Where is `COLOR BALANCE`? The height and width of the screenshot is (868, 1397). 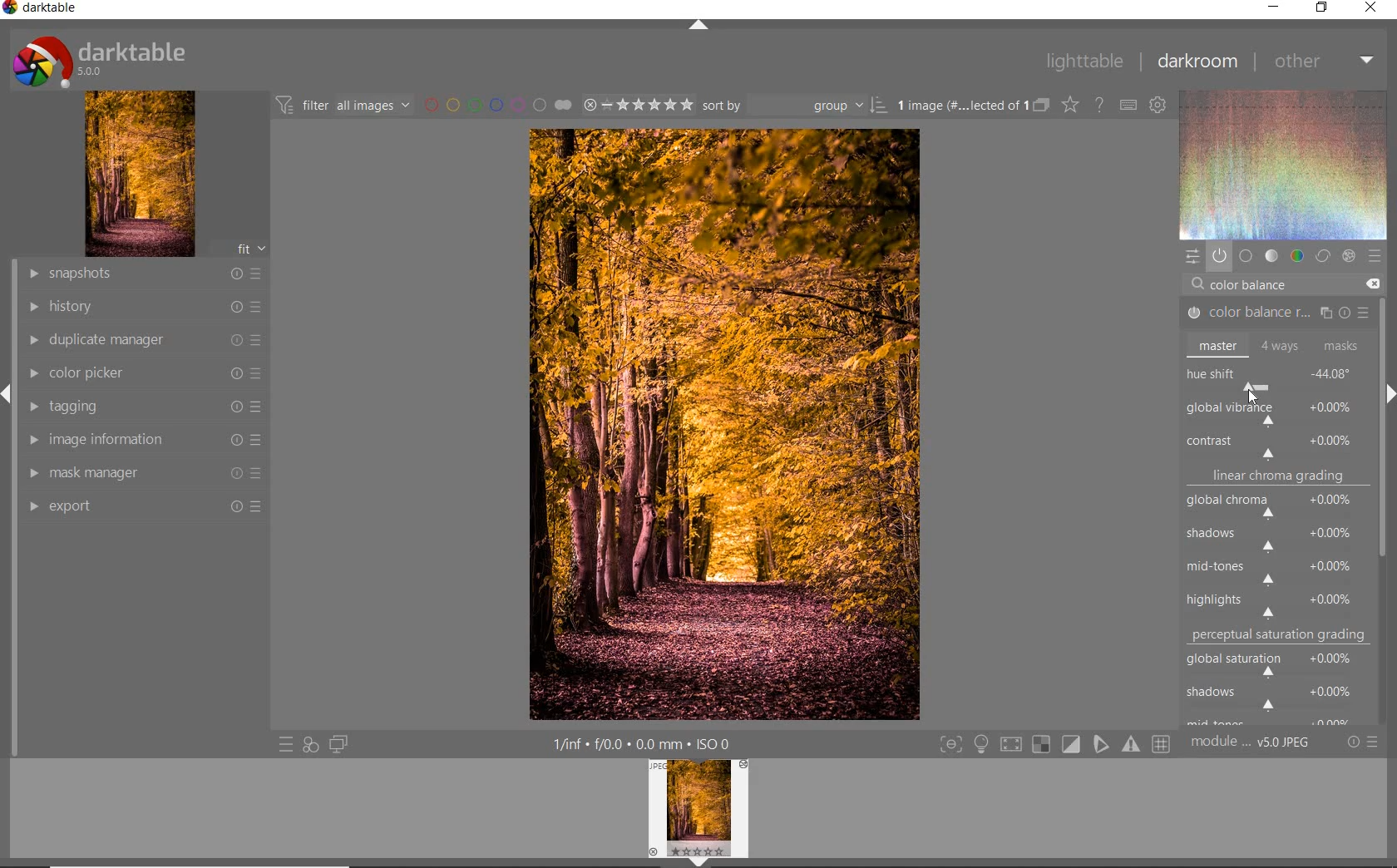 COLOR BALANCE is located at coordinates (1253, 285).